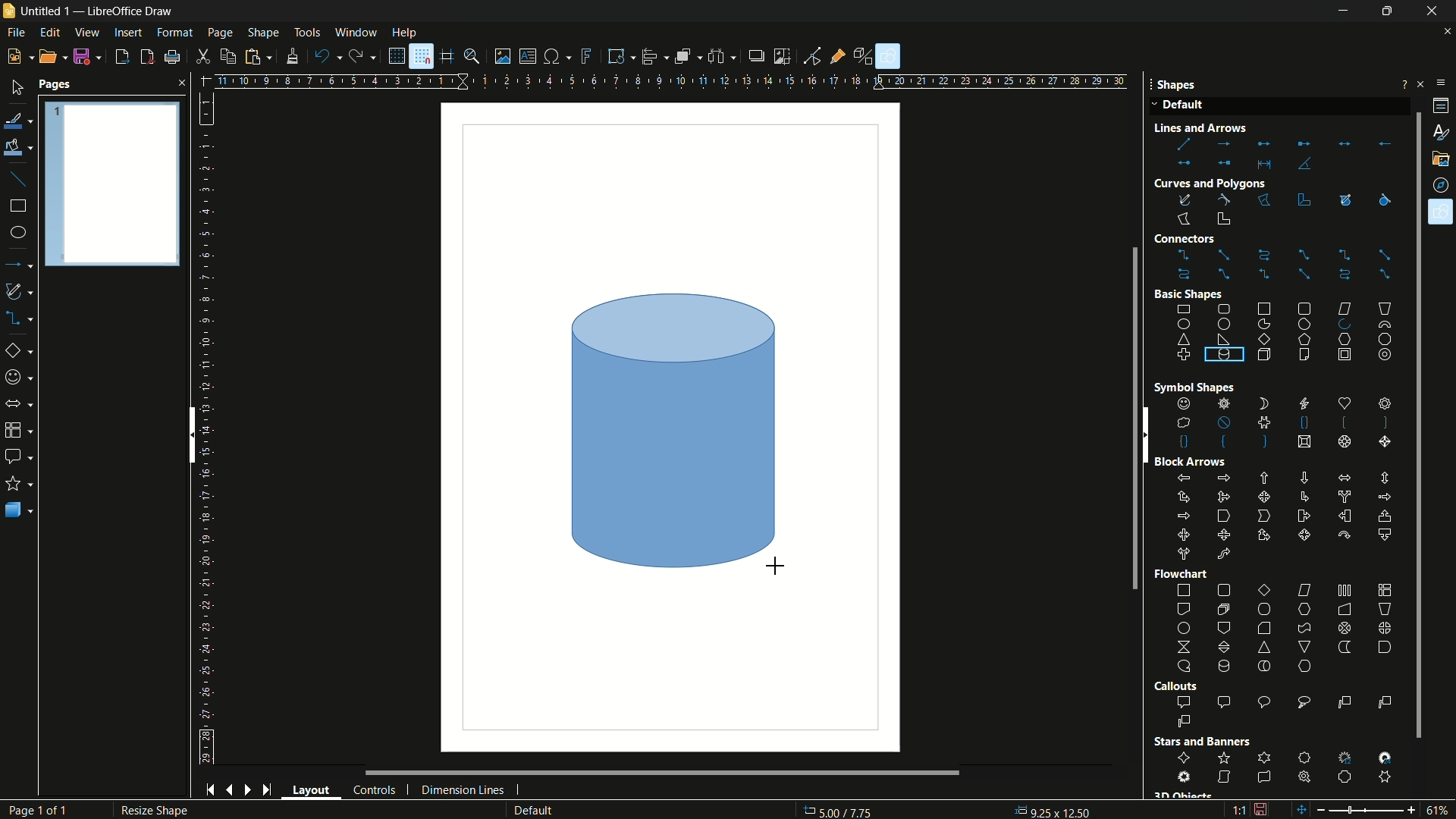 This screenshot has width=1456, height=819. Describe the element at coordinates (22, 318) in the screenshot. I see `connectors` at that location.